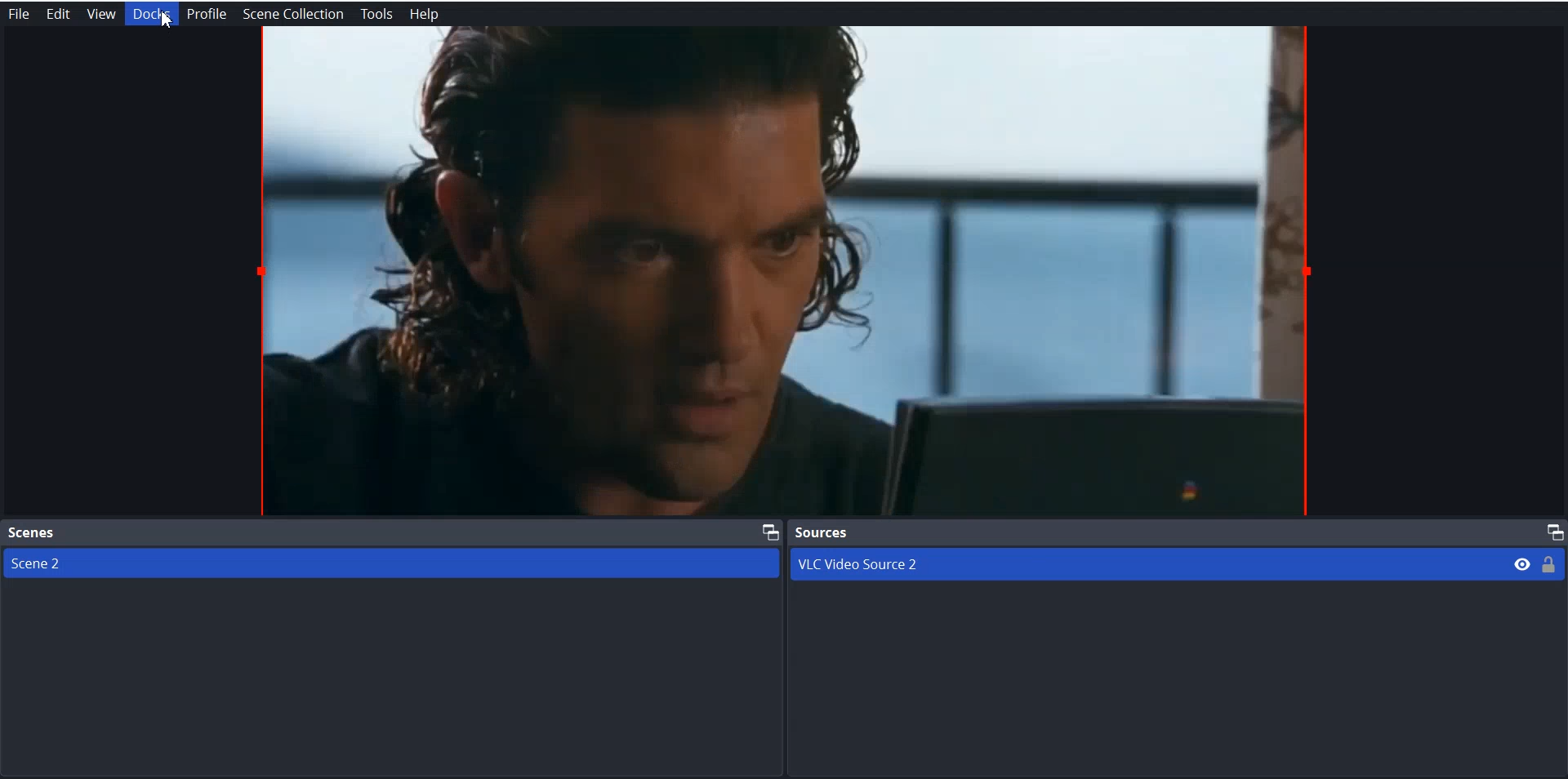  What do you see at coordinates (18, 14) in the screenshot?
I see `File` at bounding box center [18, 14].